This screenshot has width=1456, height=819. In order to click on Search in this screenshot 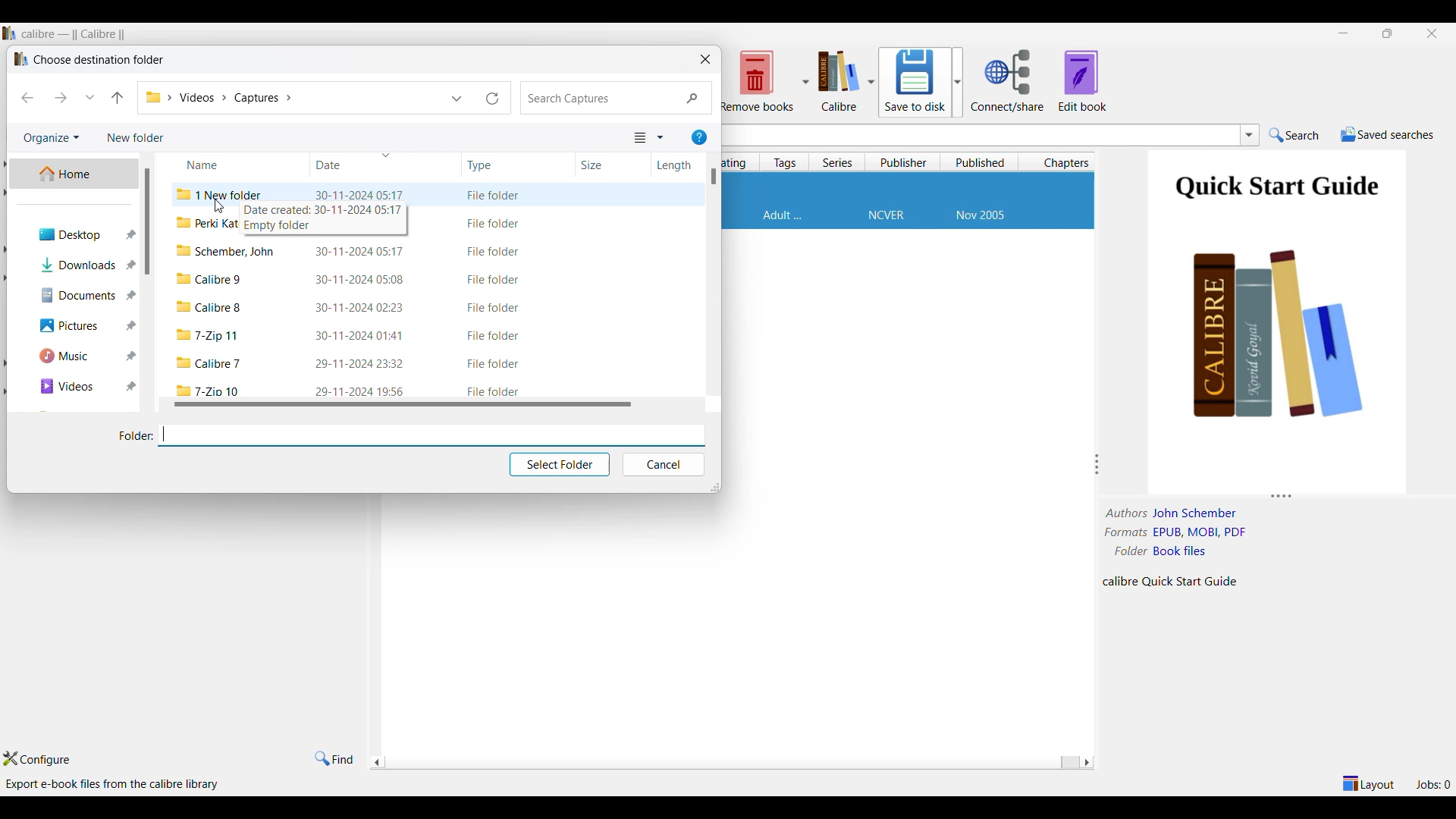, I will do `click(617, 99)`.